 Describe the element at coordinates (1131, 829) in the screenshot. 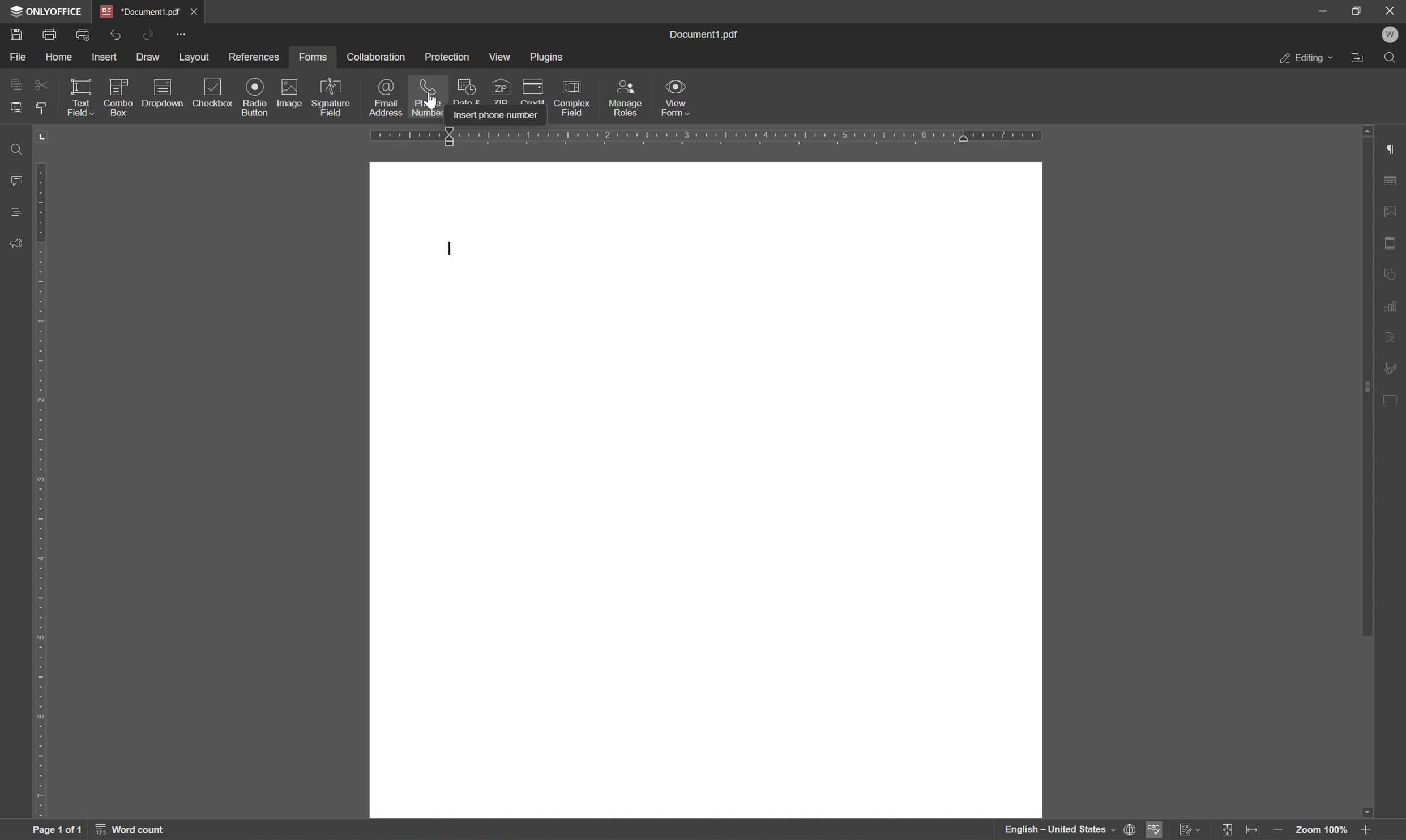

I see `set document language` at that location.